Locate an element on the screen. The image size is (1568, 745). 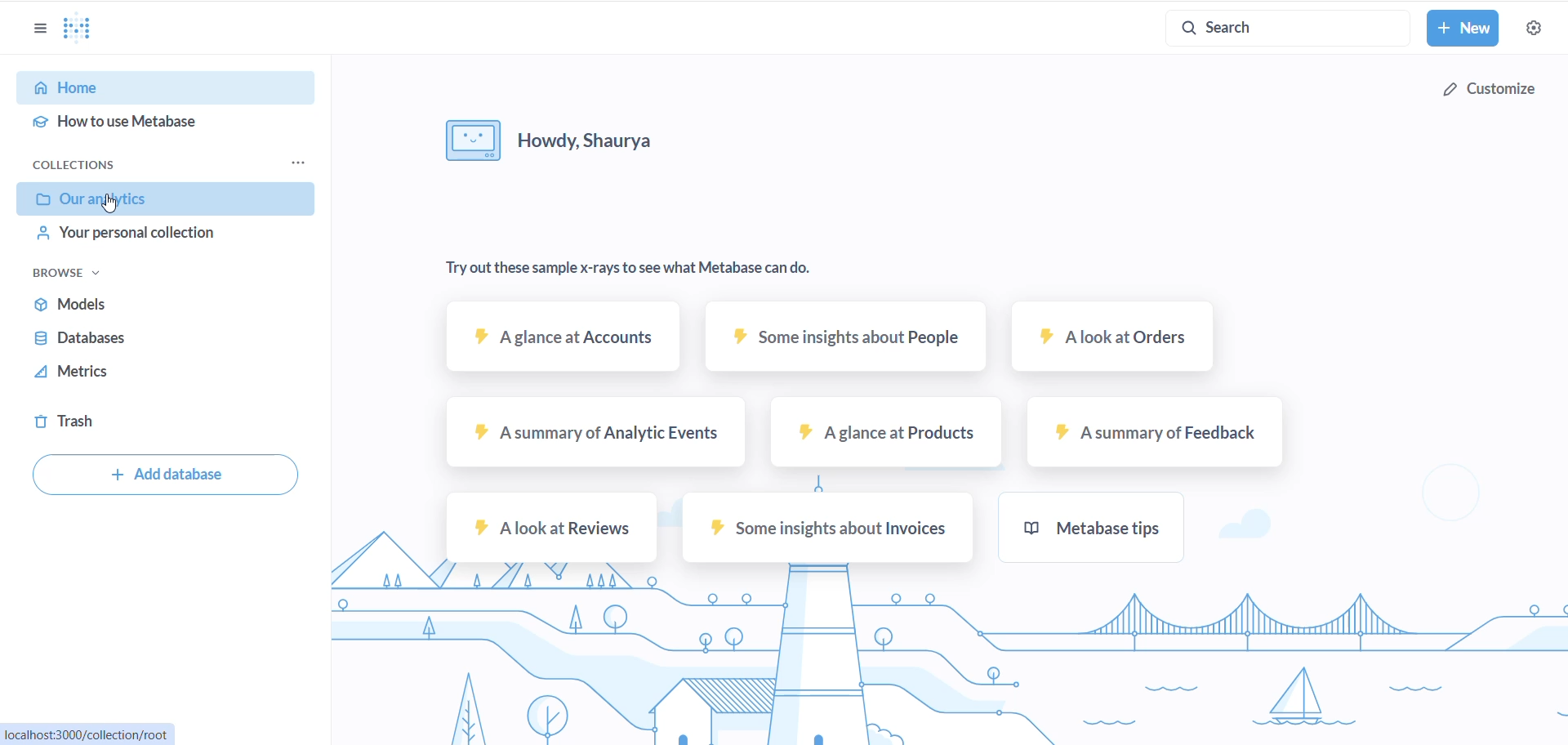
some insights about people is located at coordinates (847, 337).